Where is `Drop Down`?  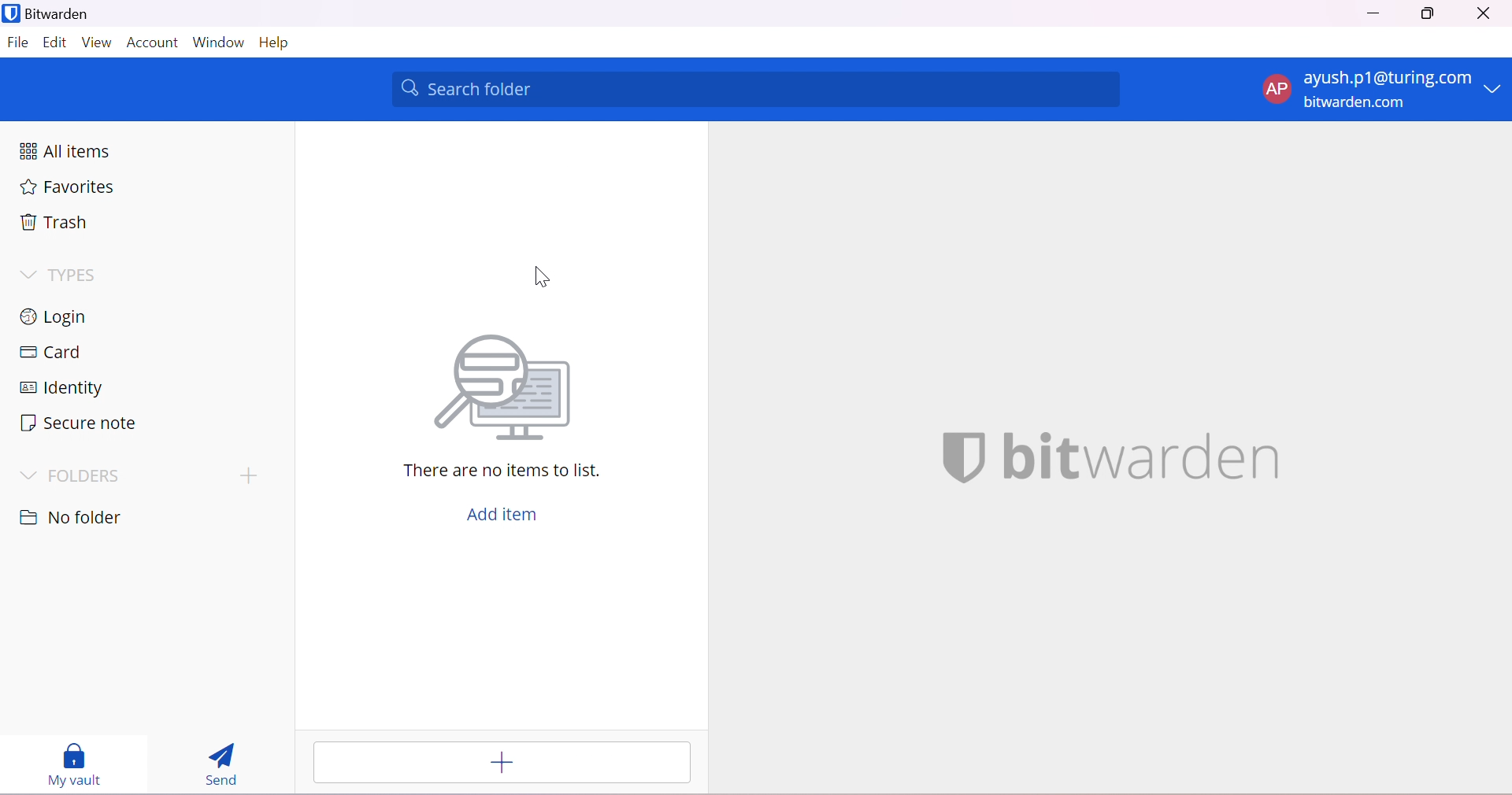 Drop Down is located at coordinates (31, 476).